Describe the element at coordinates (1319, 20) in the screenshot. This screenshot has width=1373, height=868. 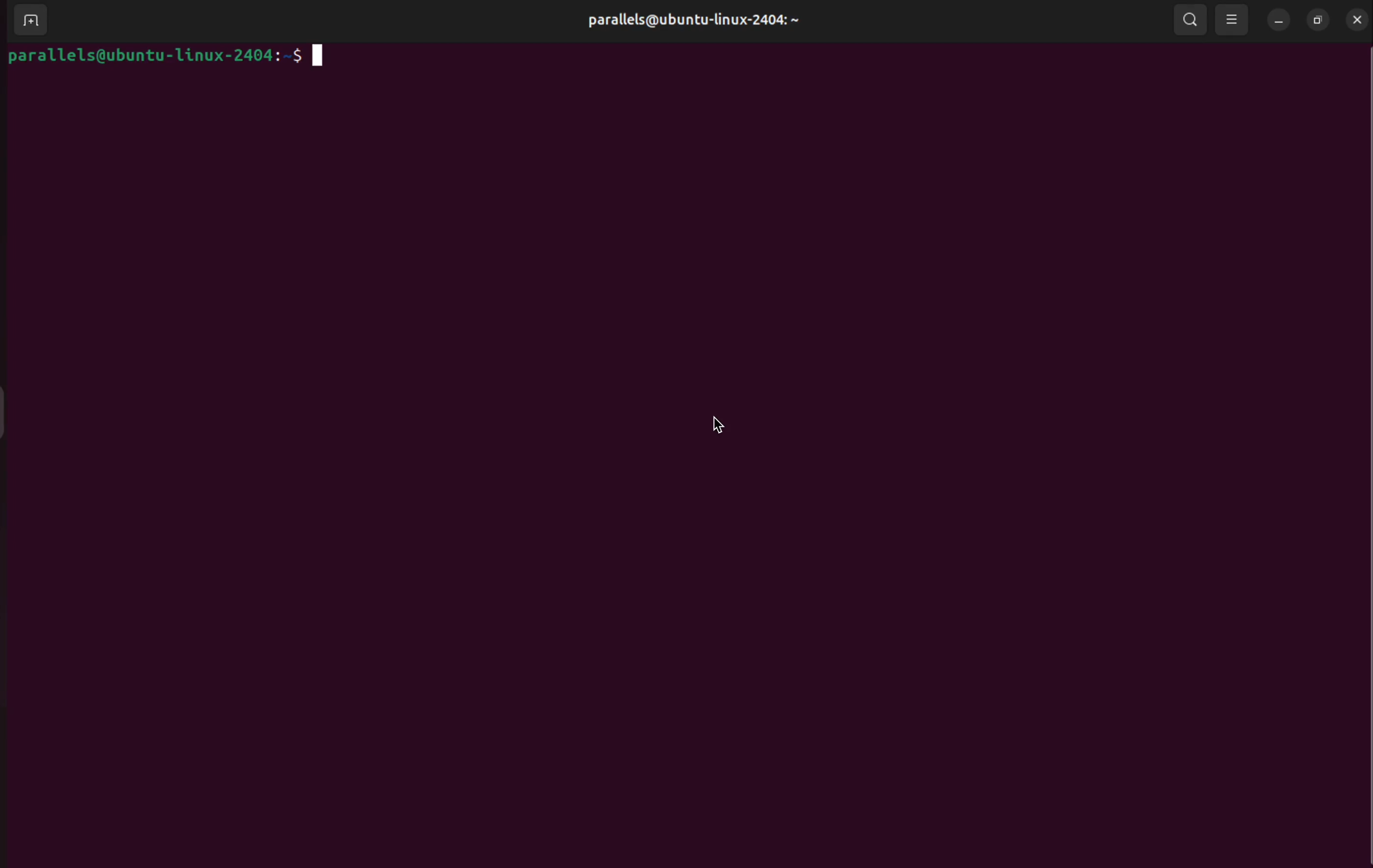
I see `resize` at that location.